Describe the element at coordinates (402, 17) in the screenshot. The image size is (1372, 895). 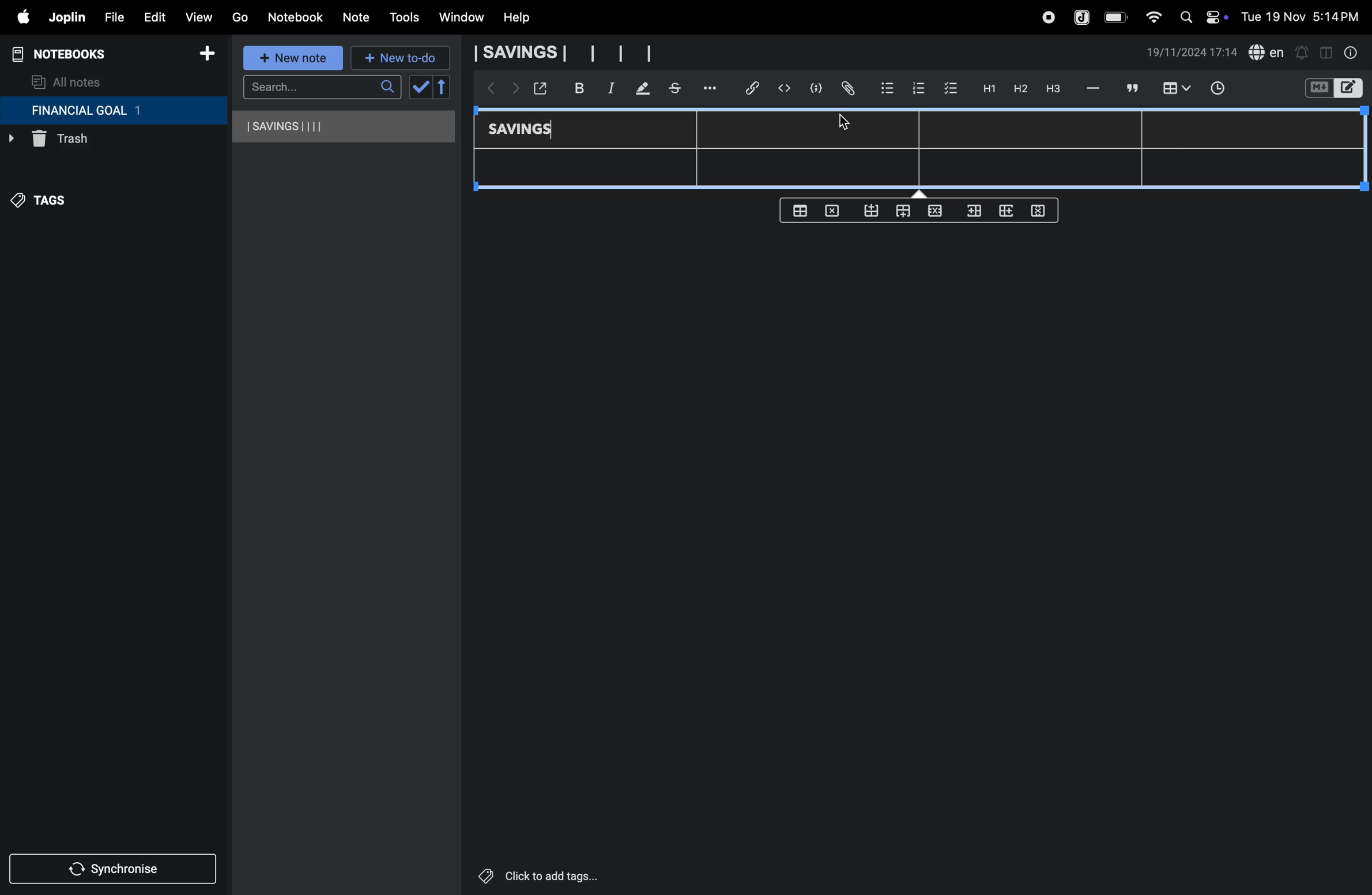
I see `tools` at that location.